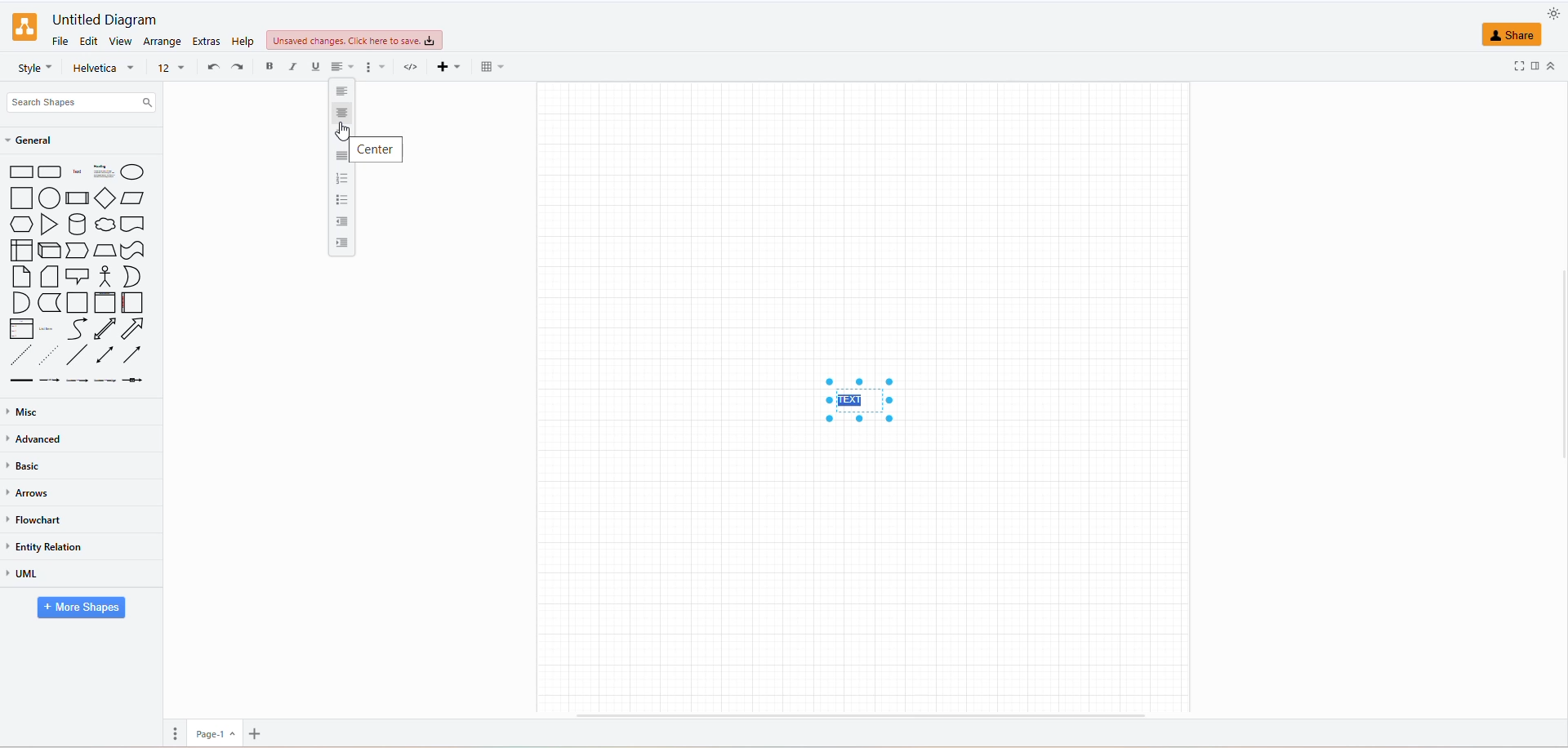  What do you see at coordinates (488, 66) in the screenshot?
I see `table` at bounding box center [488, 66].